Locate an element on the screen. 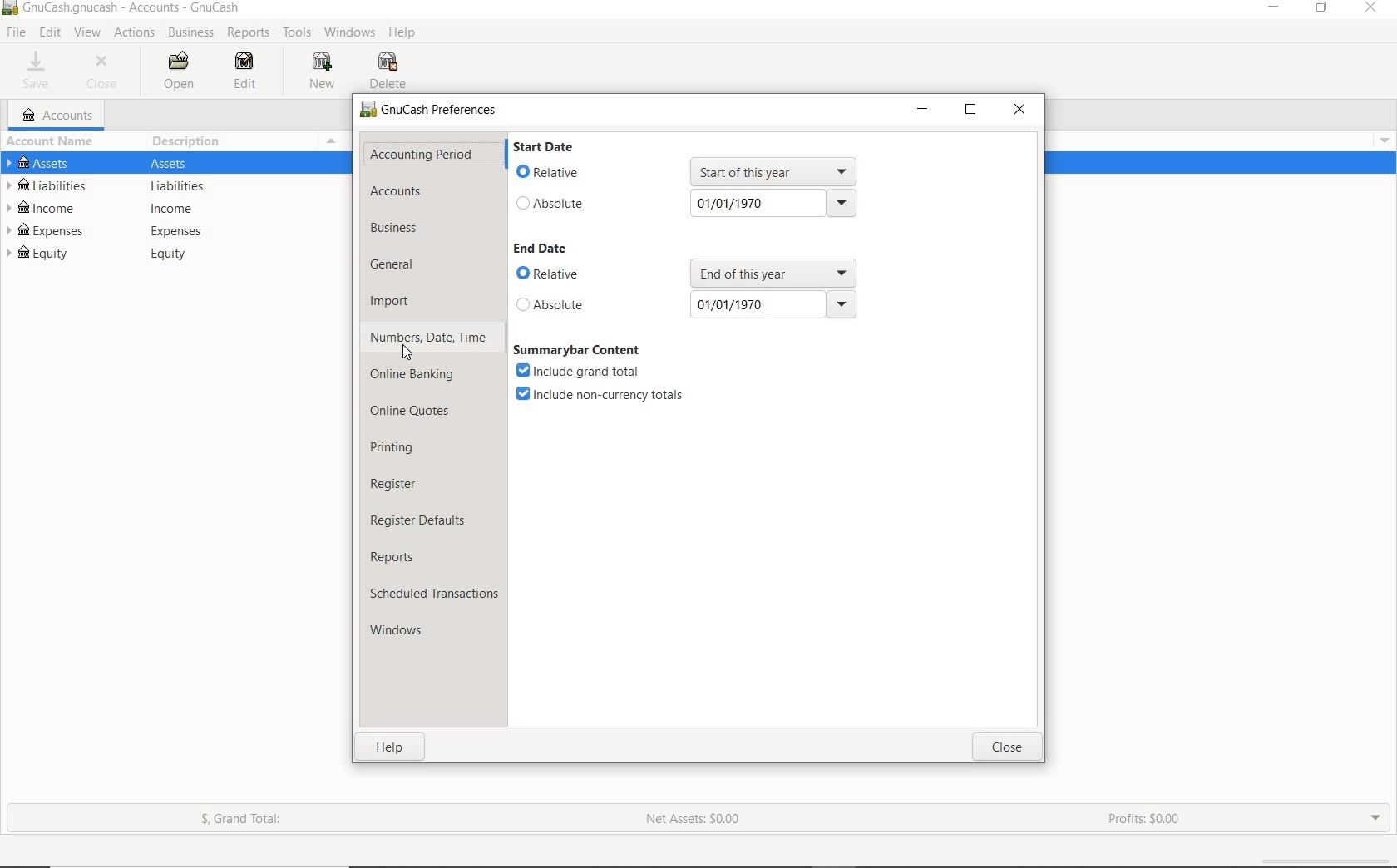 The width and height of the screenshot is (1397, 868). VIEW is located at coordinates (88, 33).